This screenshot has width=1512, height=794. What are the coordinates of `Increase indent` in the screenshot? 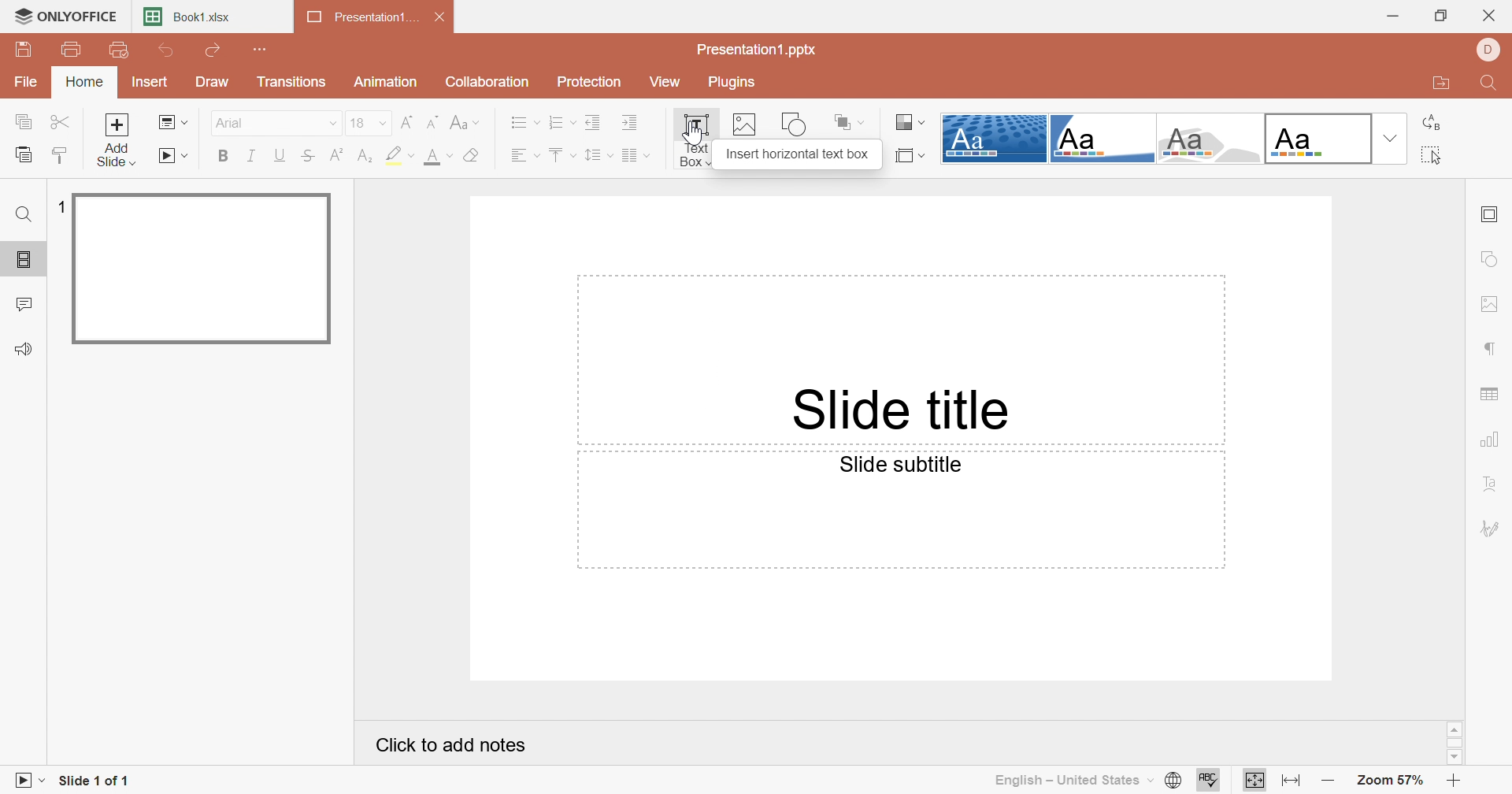 It's located at (631, 124).